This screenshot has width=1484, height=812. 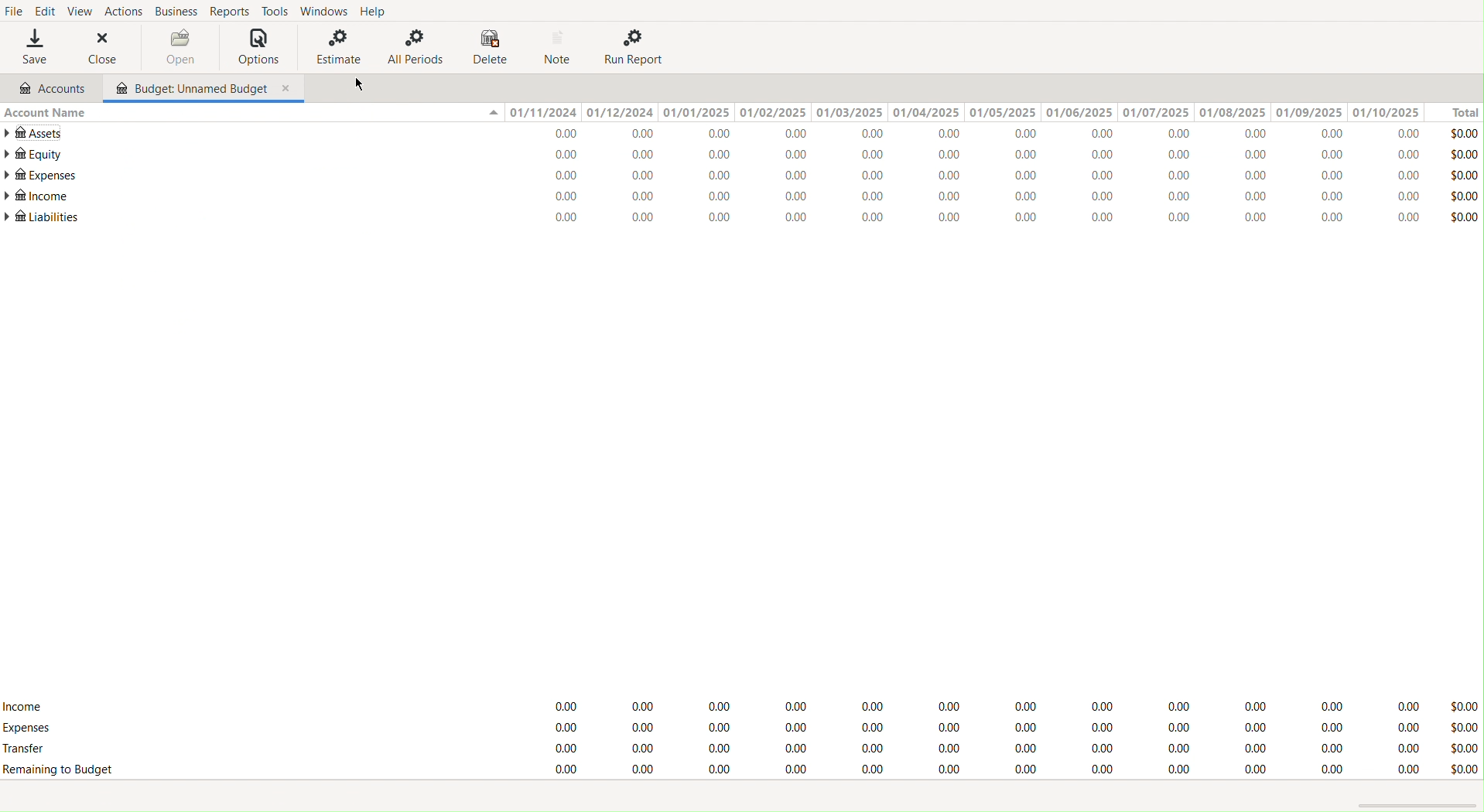 What do you see at coordinates (166, 46) in the screenshot?
I see `Open` at bounding box center [166, 46].